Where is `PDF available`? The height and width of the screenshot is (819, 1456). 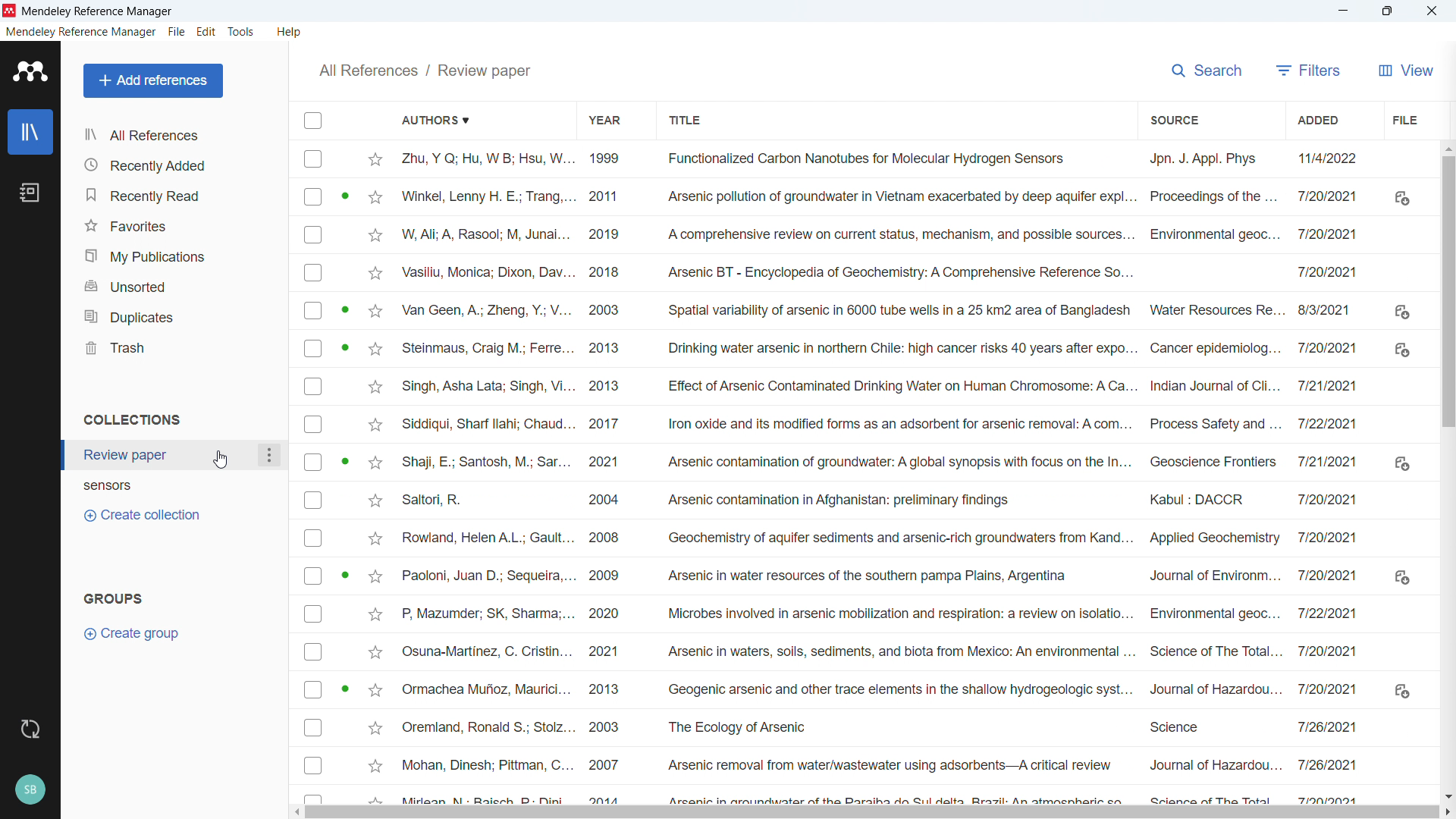 PDF available is located at coordinates (344, 497).